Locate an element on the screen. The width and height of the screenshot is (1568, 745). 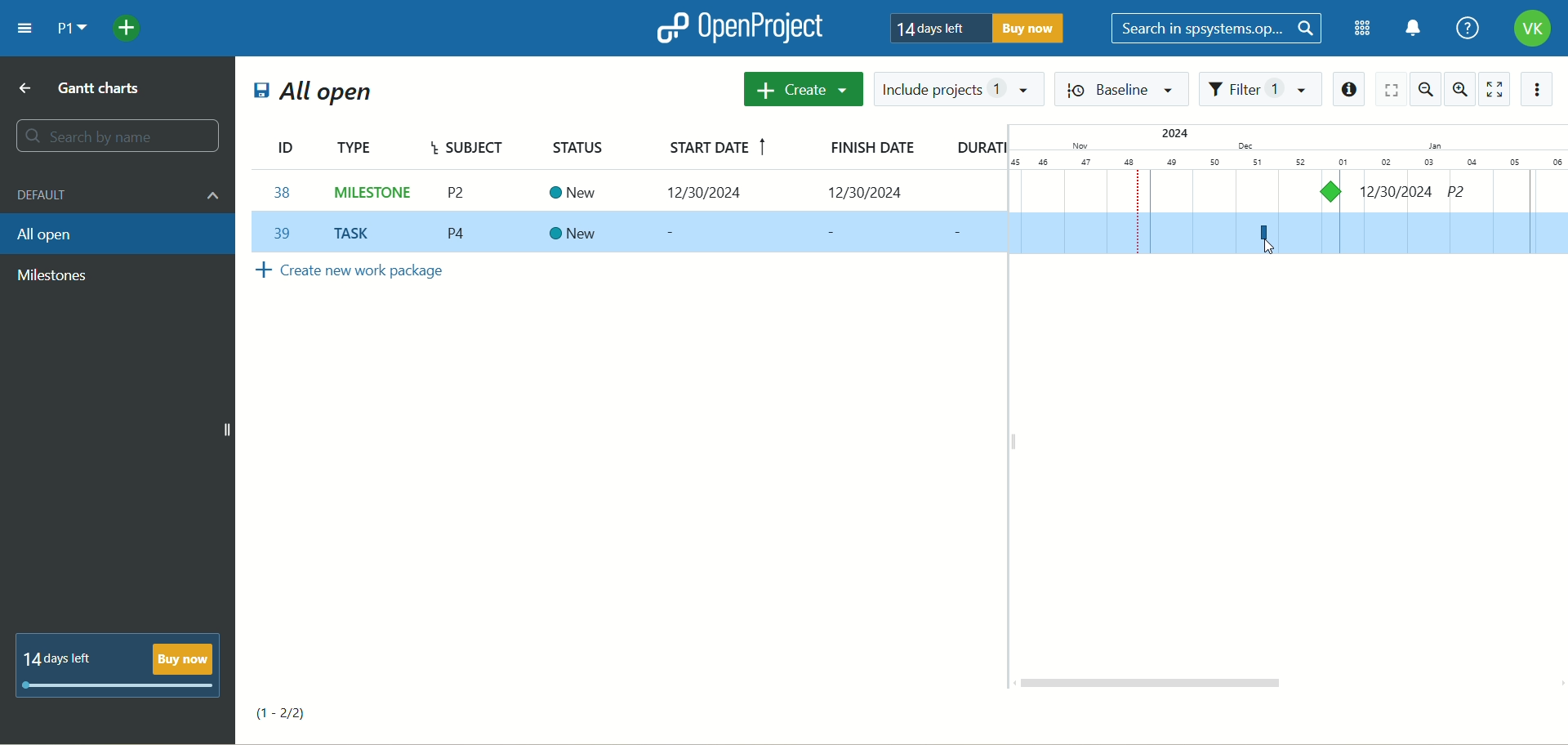
action is located at coordinates (1540, 88).